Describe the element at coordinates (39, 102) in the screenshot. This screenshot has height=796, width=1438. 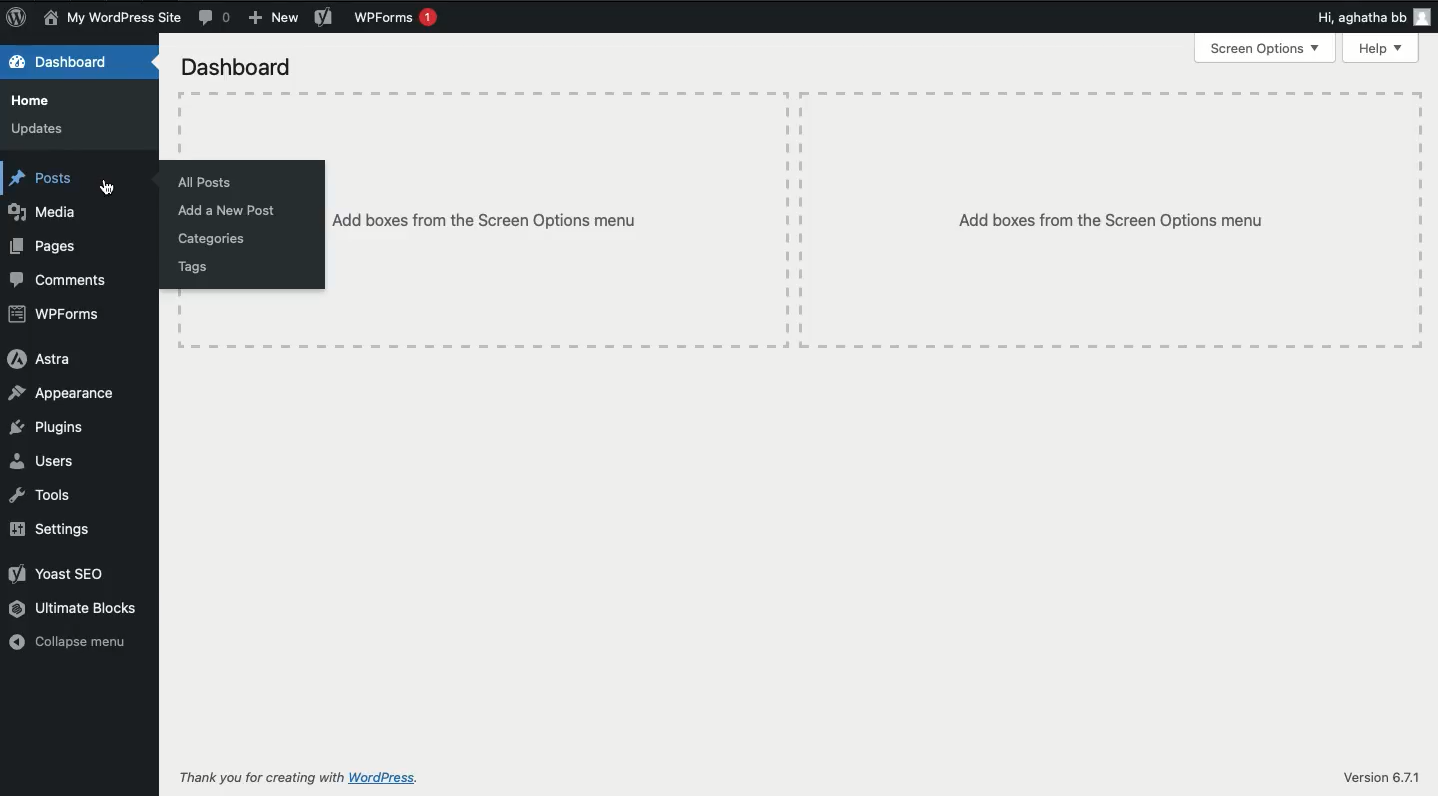
I see `Home` at that location.